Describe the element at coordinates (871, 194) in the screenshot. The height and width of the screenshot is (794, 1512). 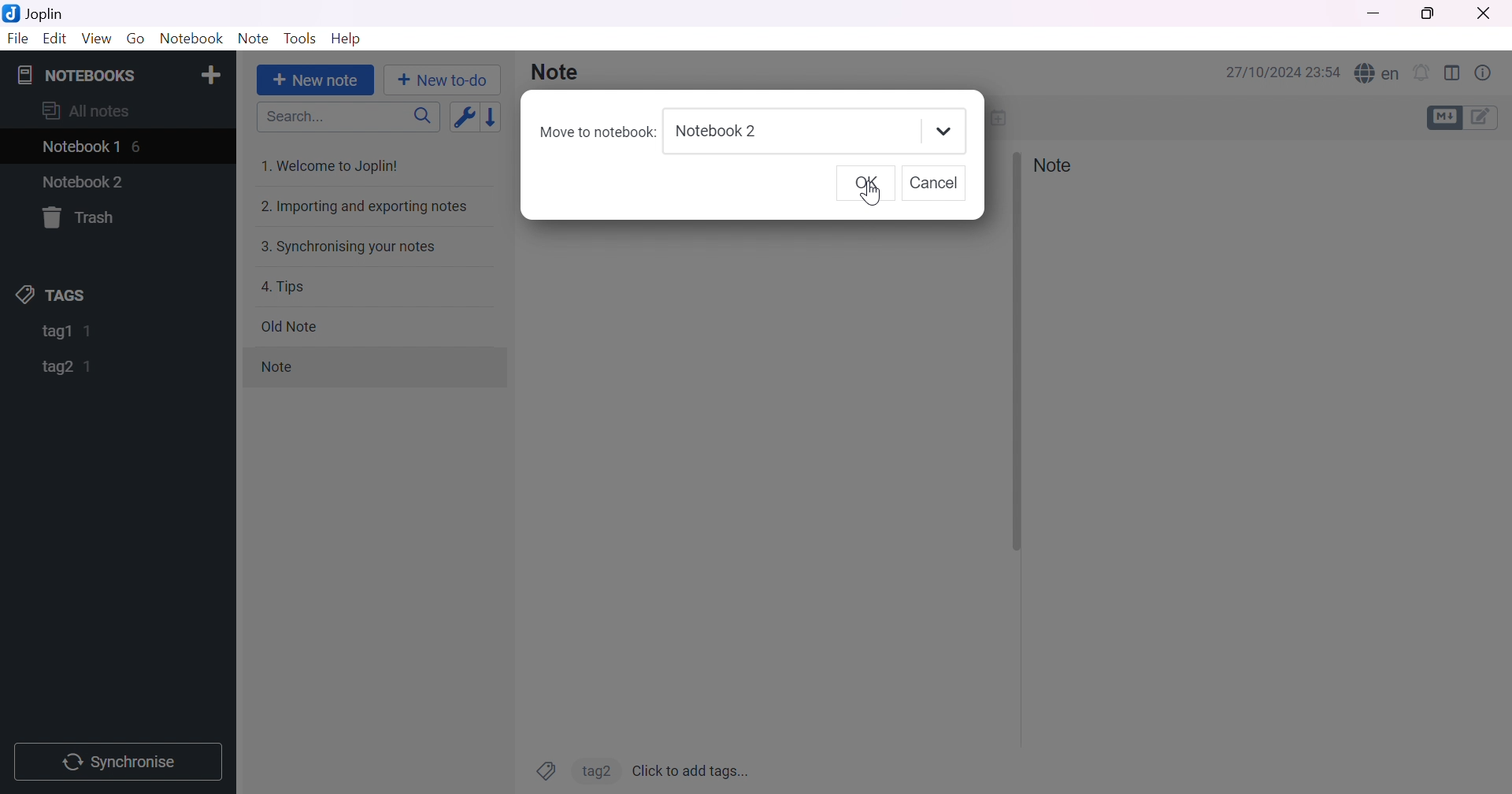
I see `Cursor` at that location.